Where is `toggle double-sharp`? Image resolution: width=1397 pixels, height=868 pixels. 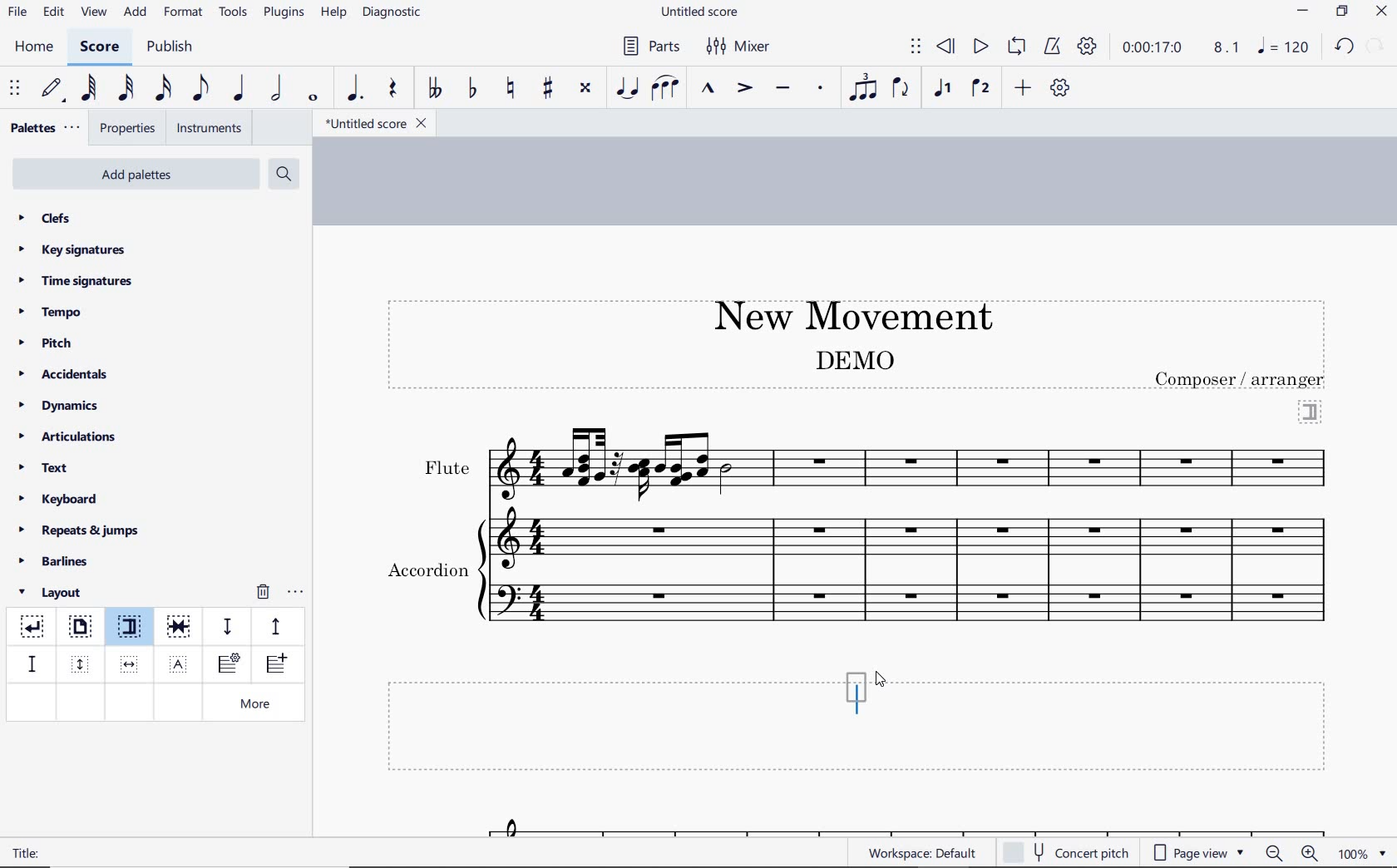
toggle double-sharp is located at coordinates (586, 88).